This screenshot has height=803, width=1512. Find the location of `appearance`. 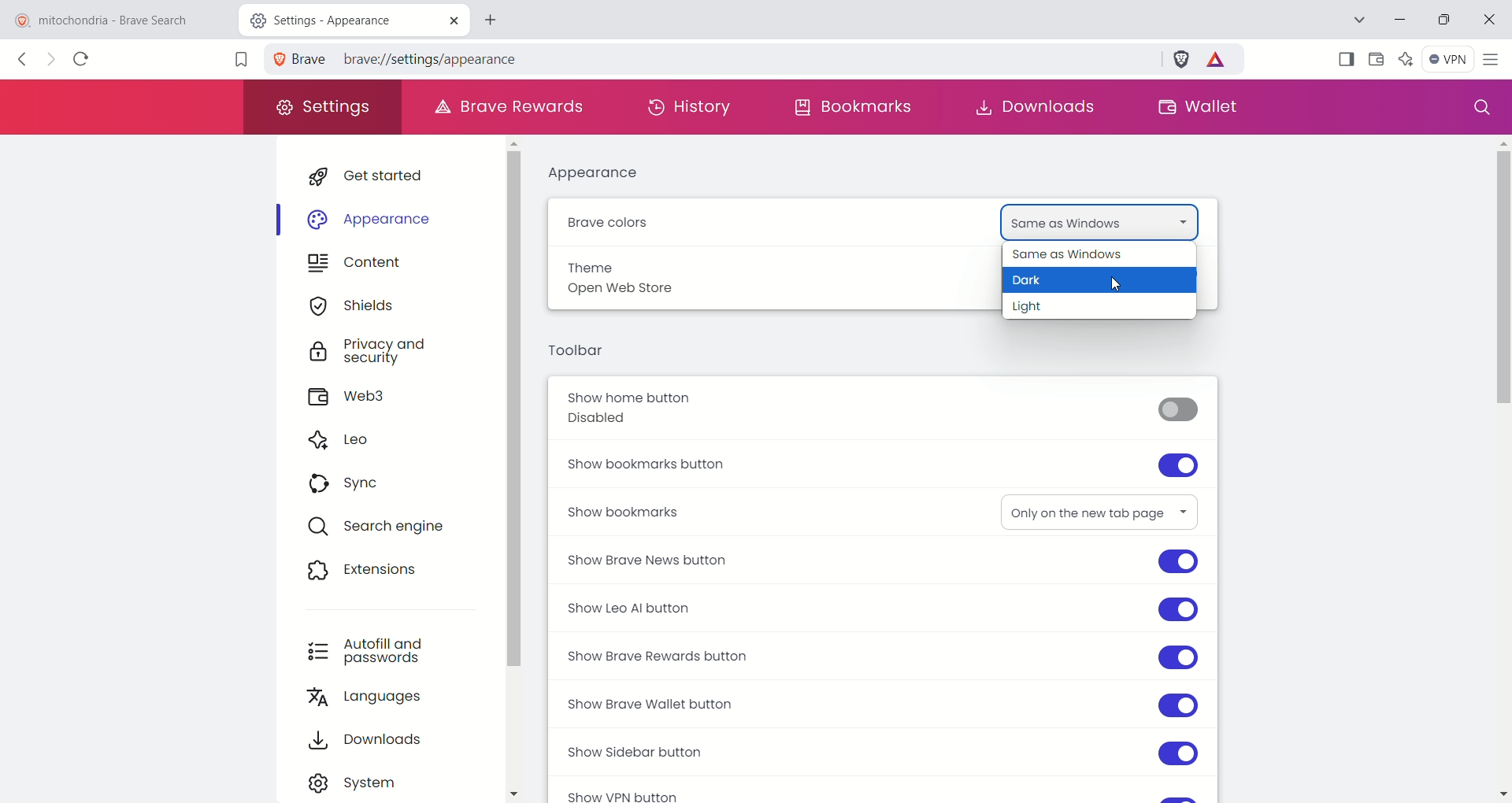

appearance is located at coordinates (598, 176).